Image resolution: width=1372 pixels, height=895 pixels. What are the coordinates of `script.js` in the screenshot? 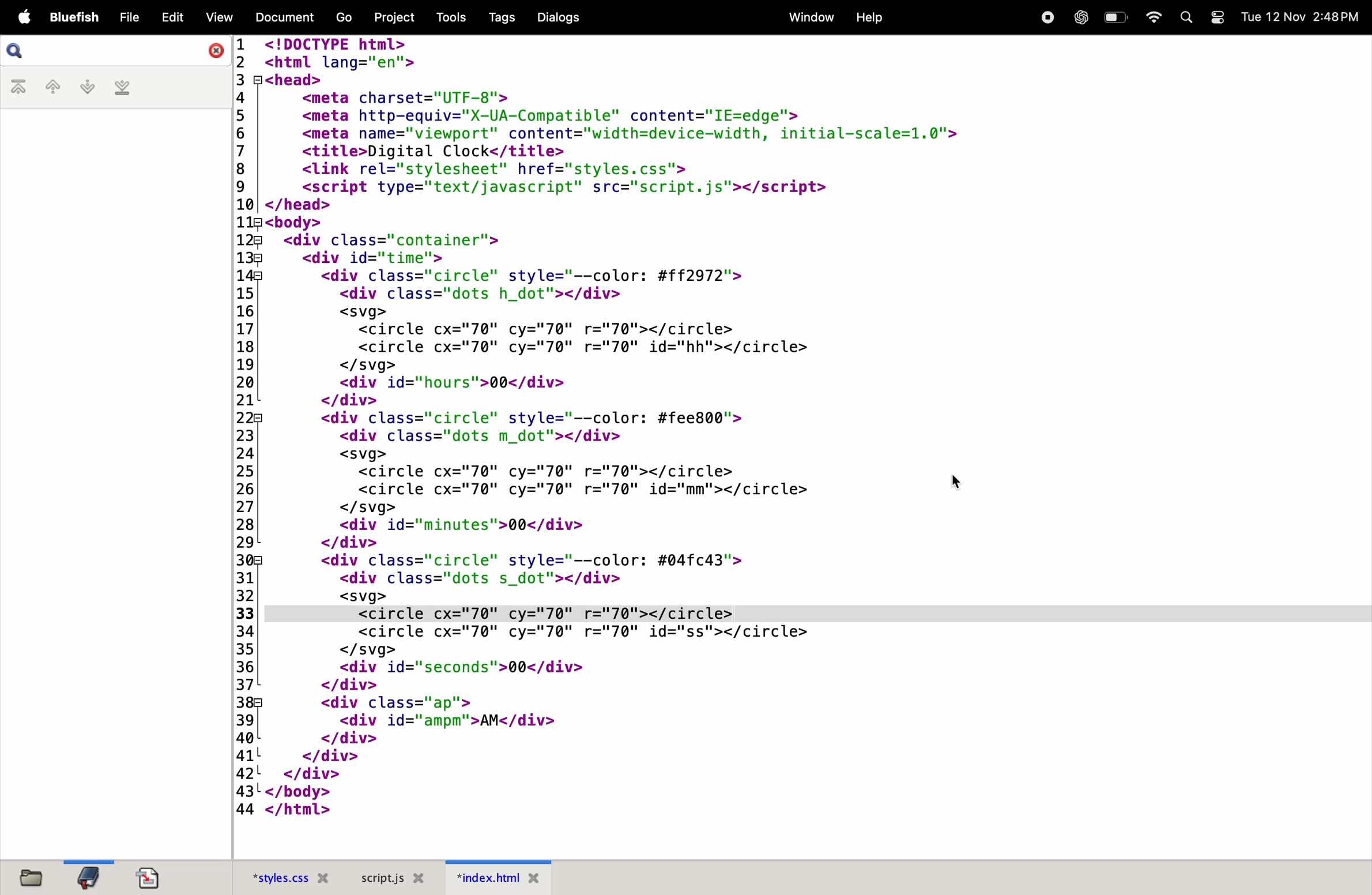 It's located at (397, 877).